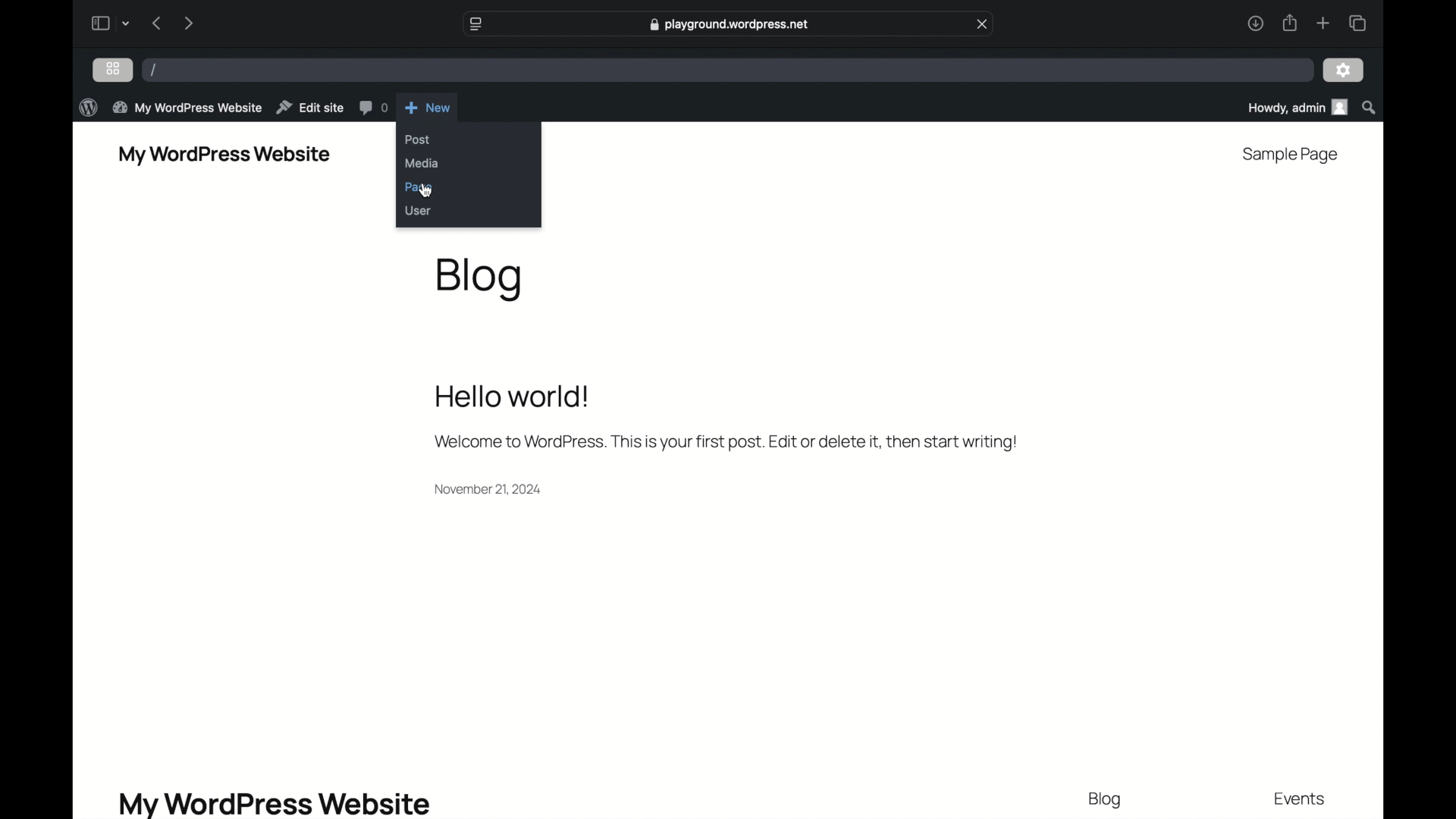 The image size is (1456, 819). Describe the element at coordinates (1288, 23) in the screenshot. I see `share` at that location.